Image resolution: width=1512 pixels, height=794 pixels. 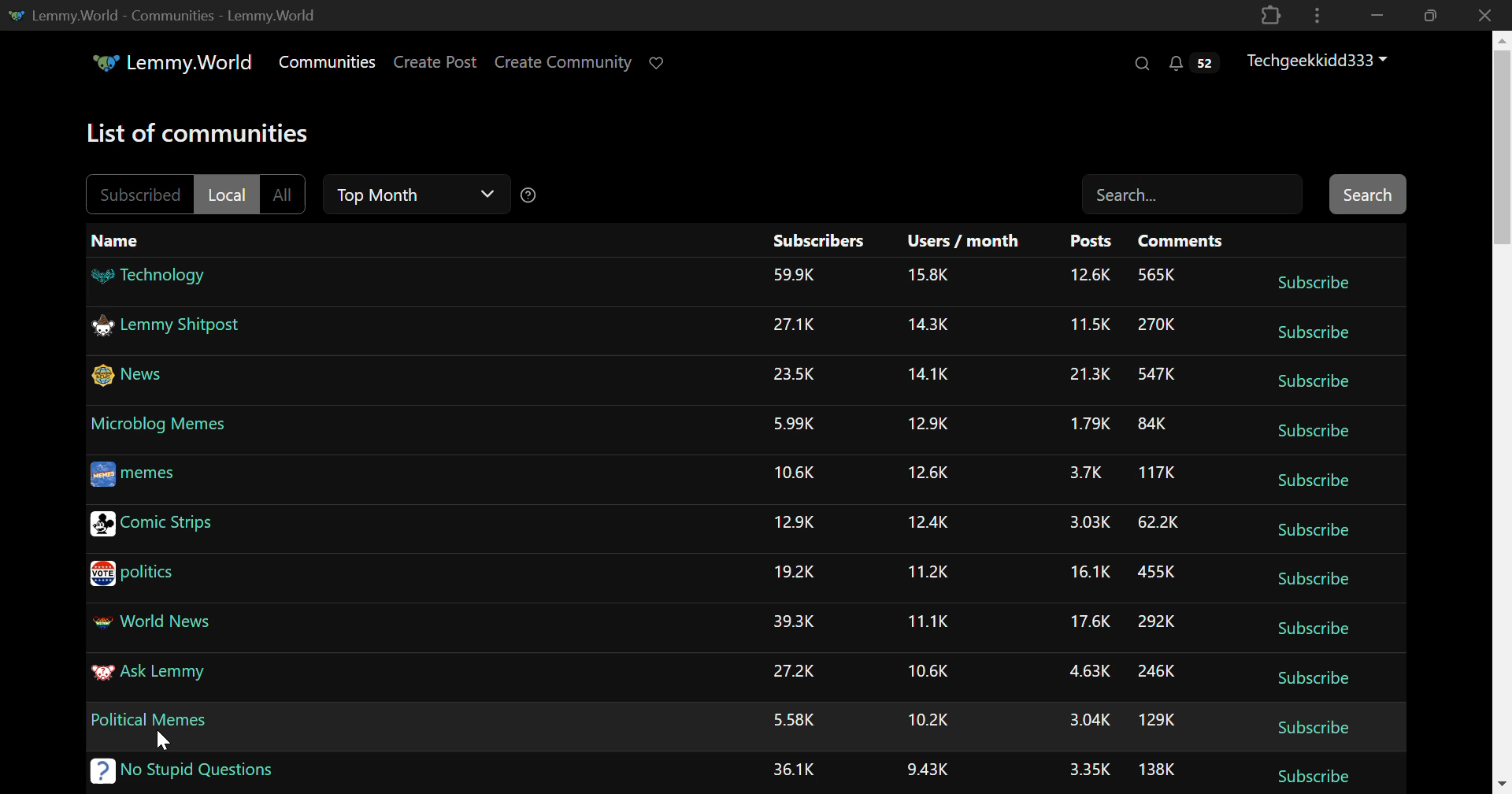 I want to click on Amount, so click(x=926, y=325).